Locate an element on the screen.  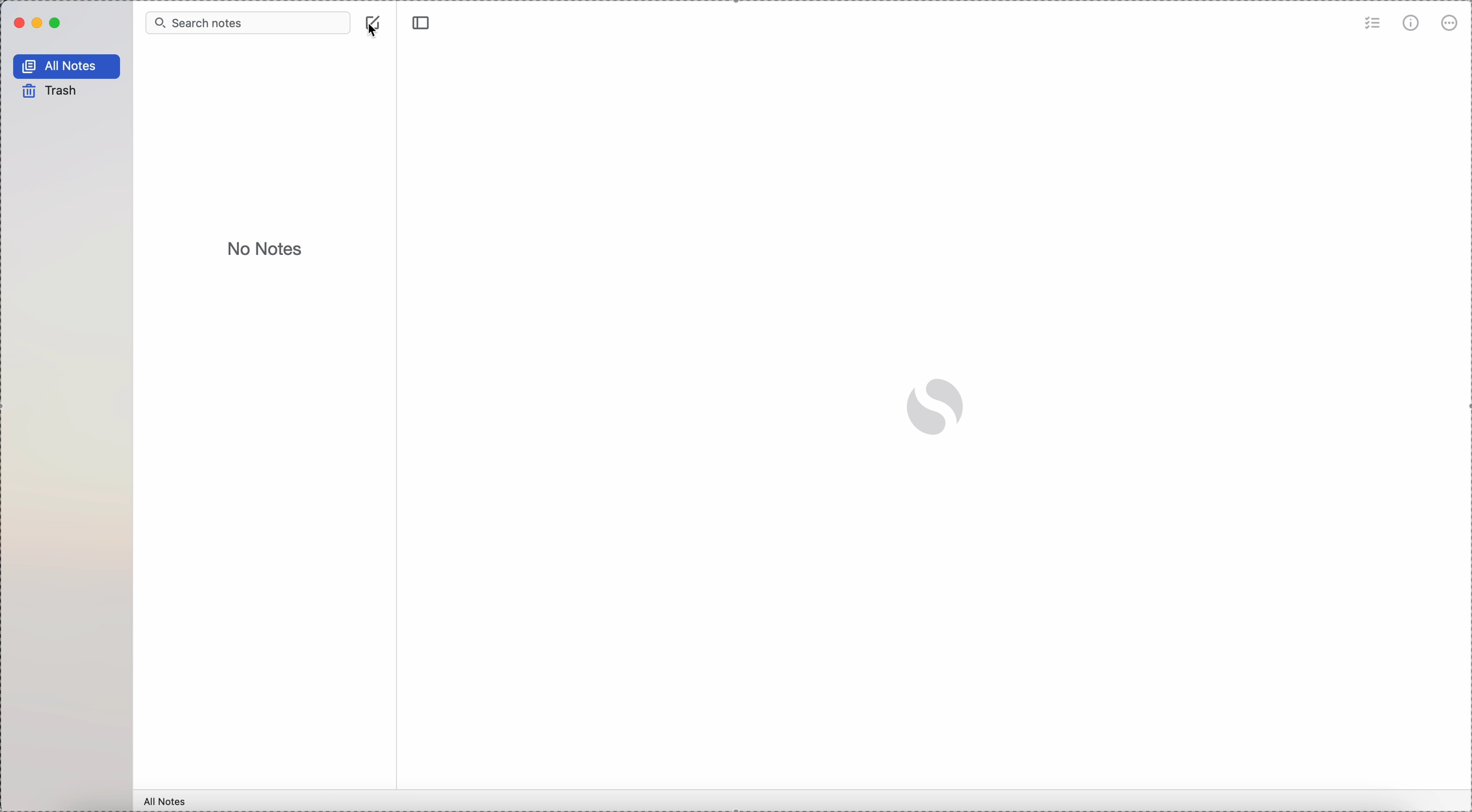
trash is located at coordinates (47, 90).